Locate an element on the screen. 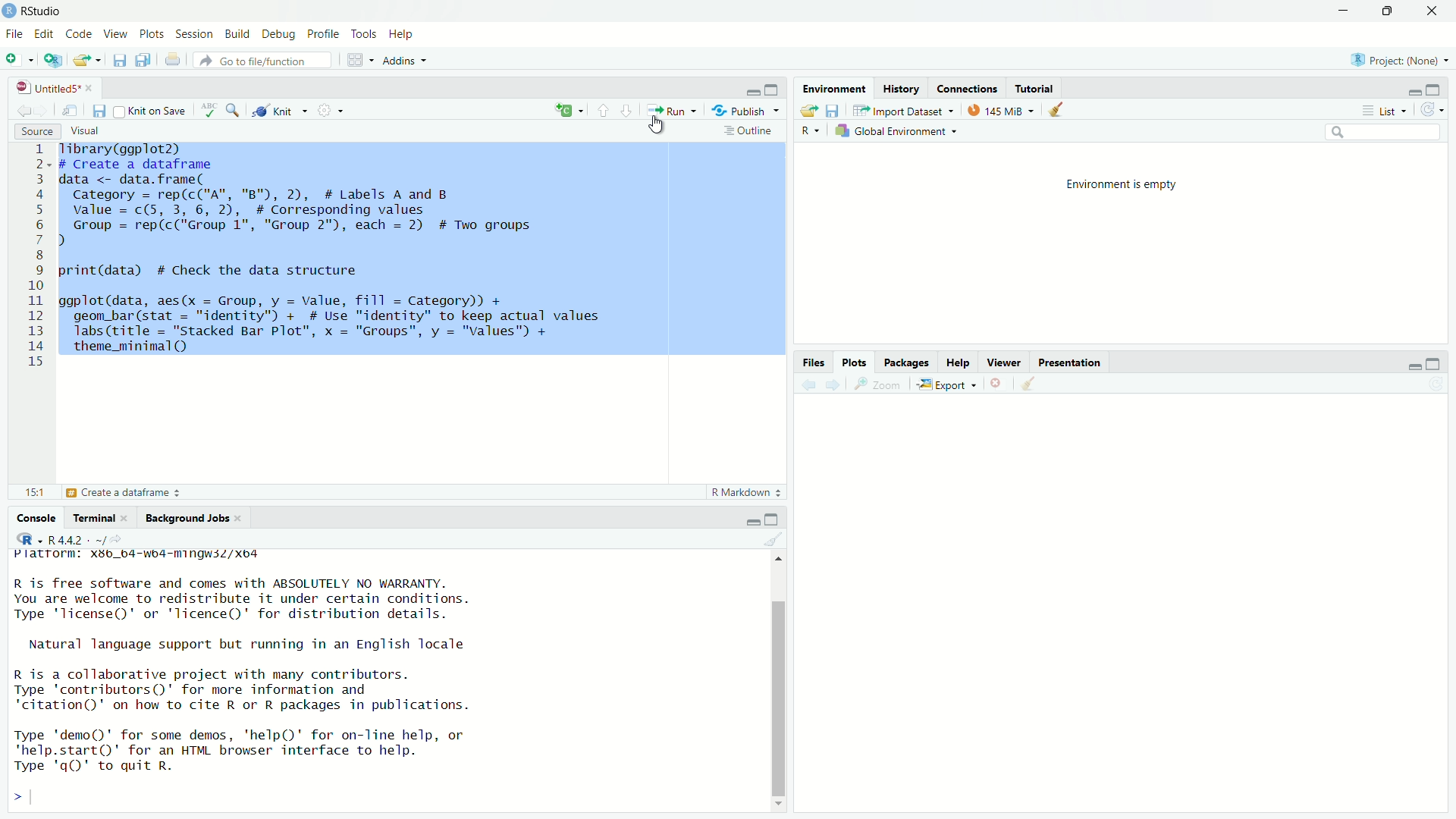  Minimize is located at coordinates (1412, 91).